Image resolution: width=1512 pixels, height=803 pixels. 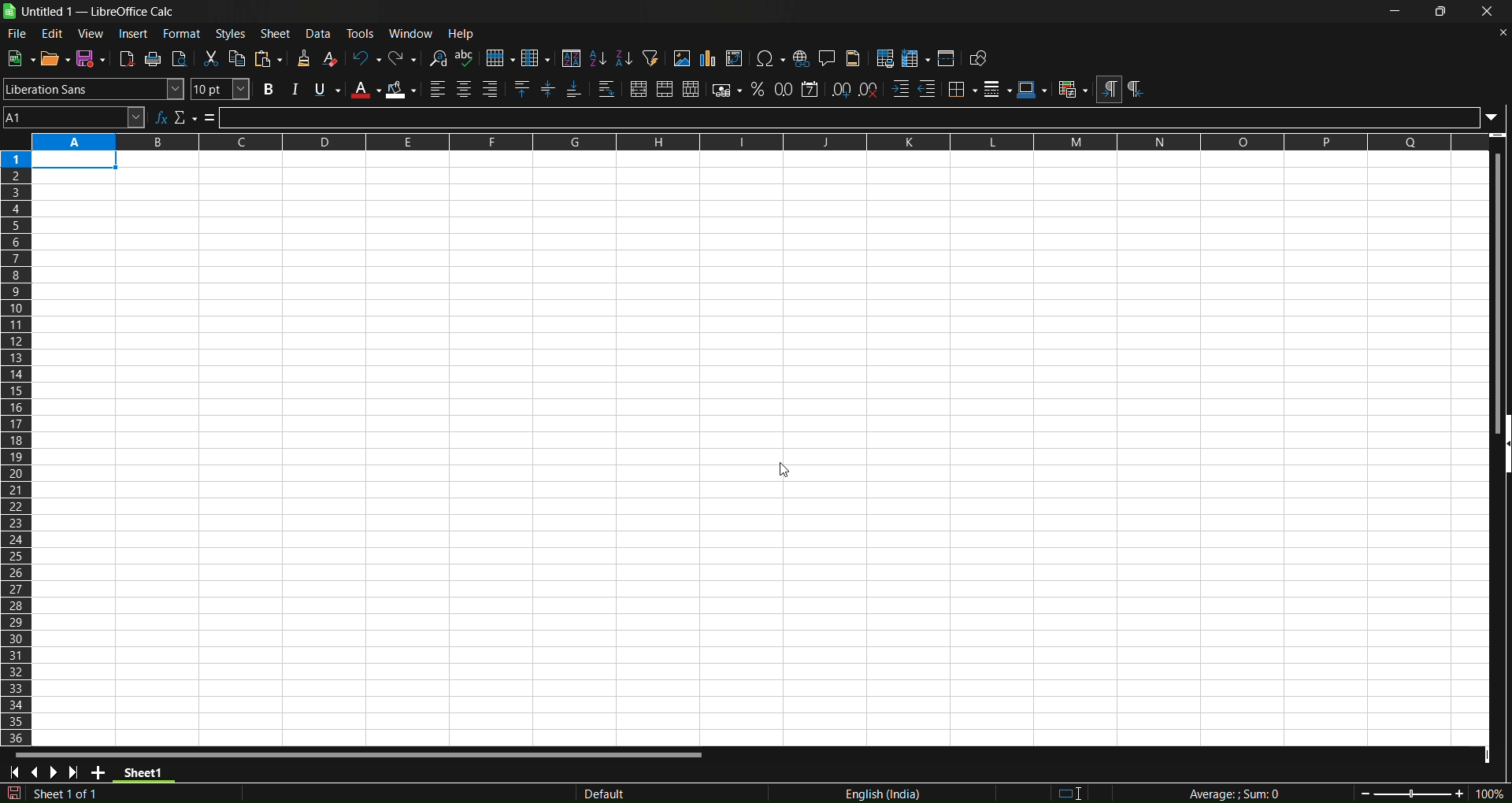 What do you see at coordinates (597, 57) in the screenshot?
I see `sort ascending` at bounding box center [597, 57].